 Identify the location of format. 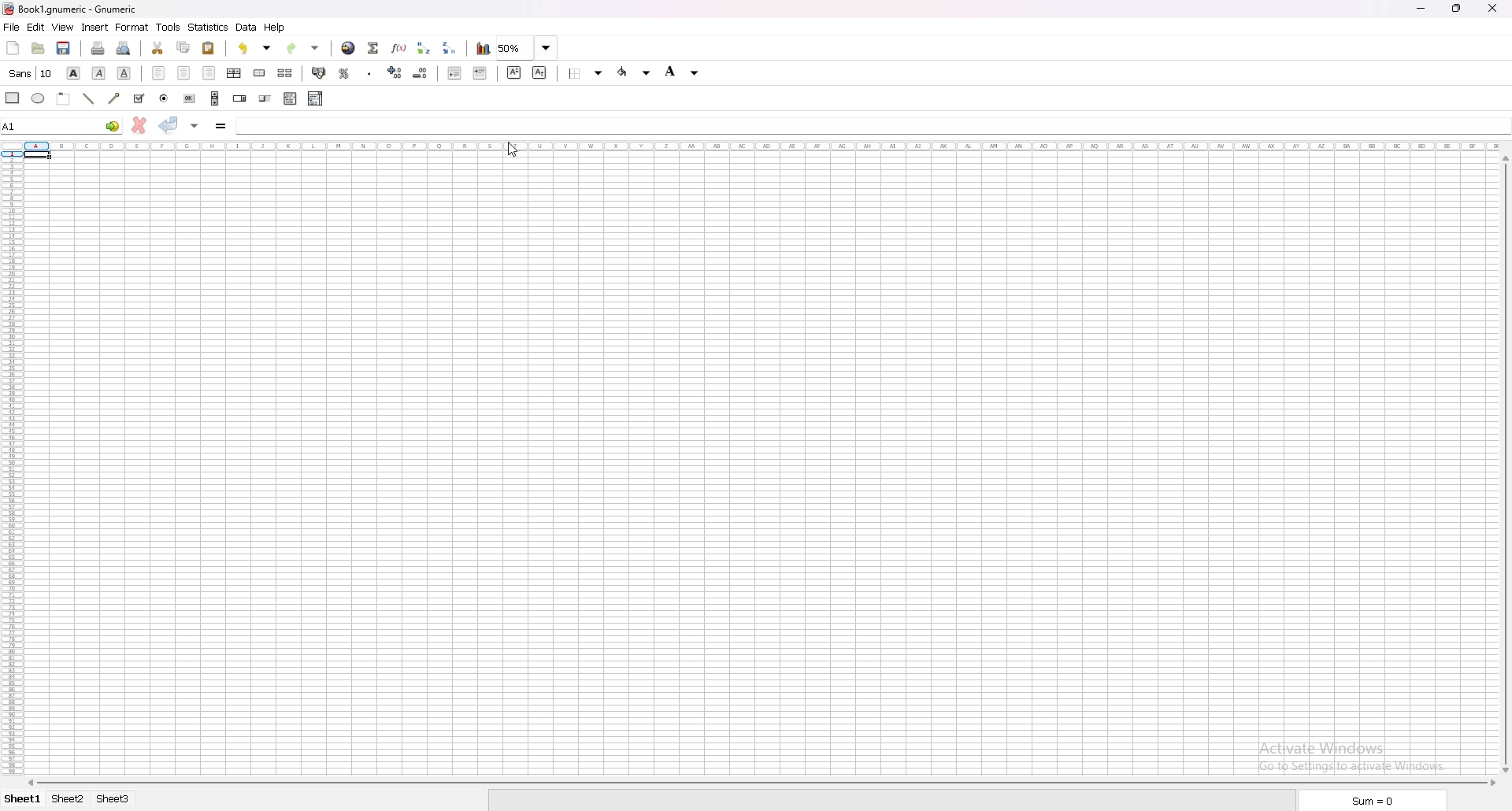
(132, 27).